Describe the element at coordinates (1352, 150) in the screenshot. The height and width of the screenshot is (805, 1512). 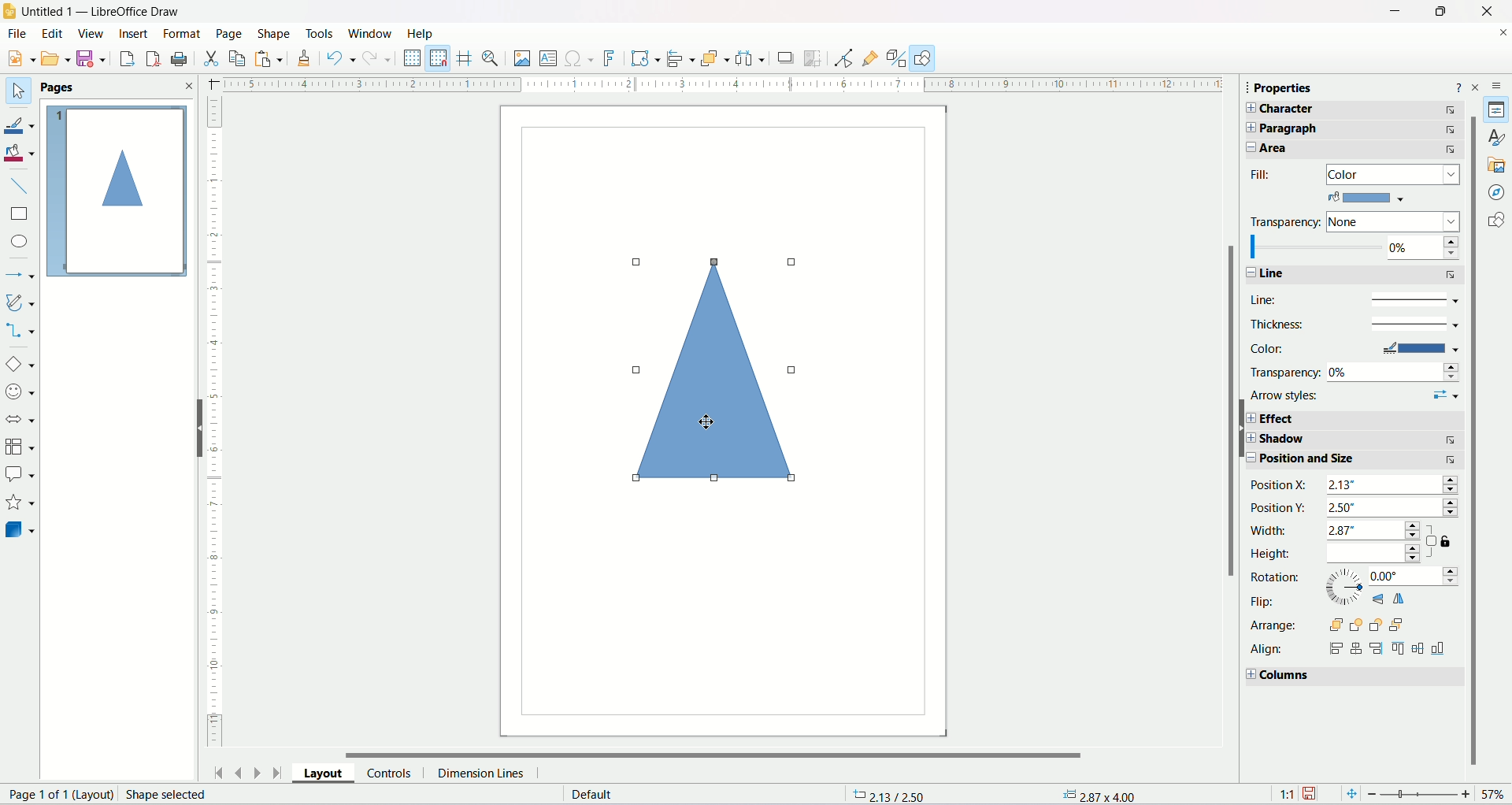
I see `area` at that location.